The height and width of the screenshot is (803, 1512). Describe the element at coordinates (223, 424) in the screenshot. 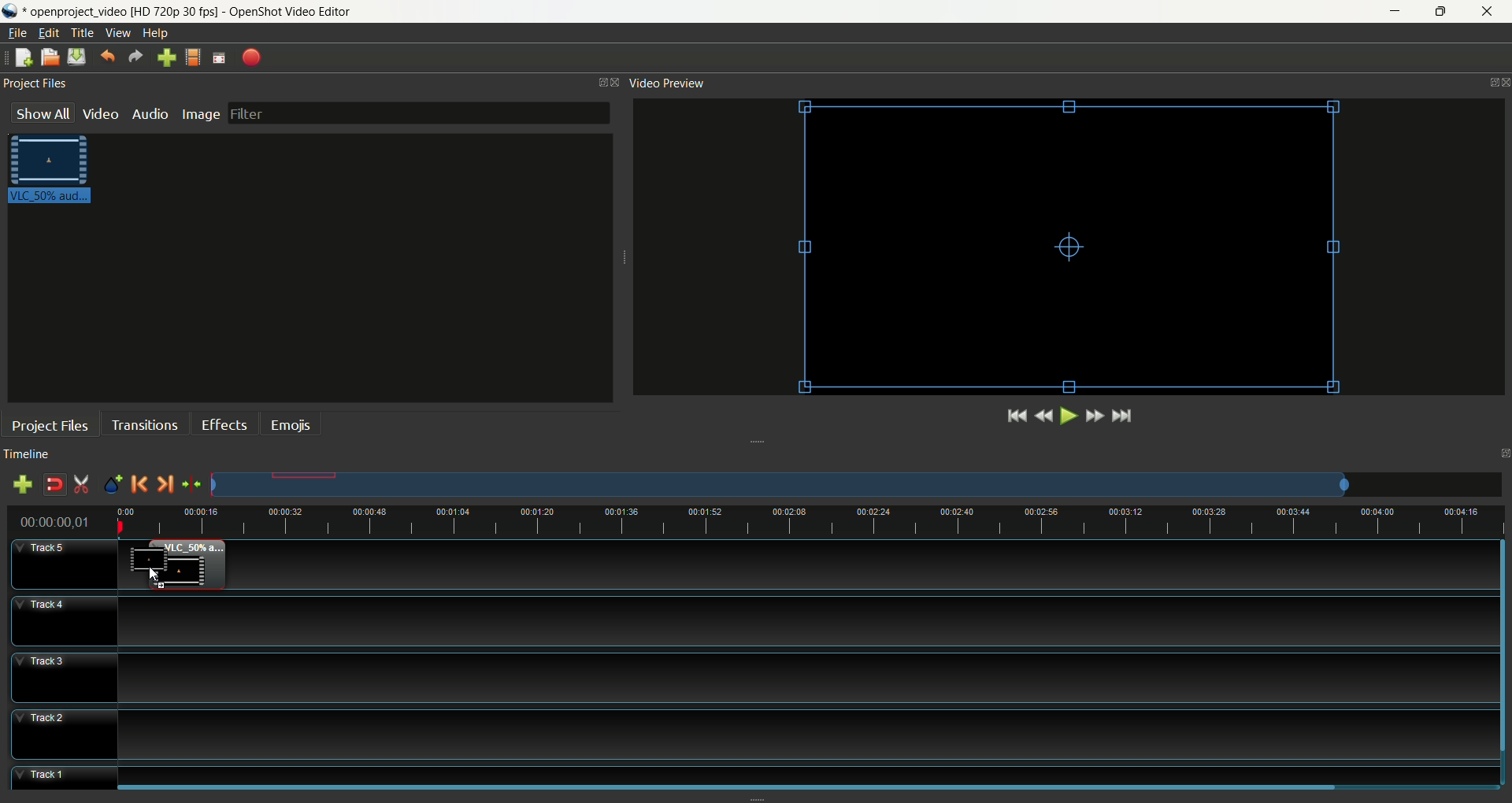

I see `effects` at that location.